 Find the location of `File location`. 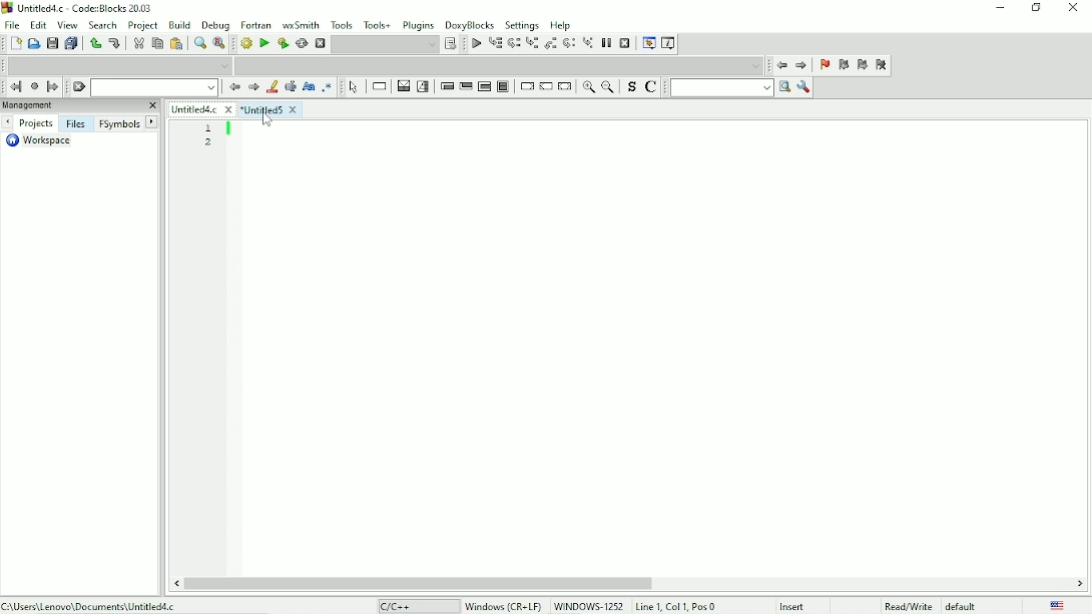

File location is located at coordinates (92, 605).